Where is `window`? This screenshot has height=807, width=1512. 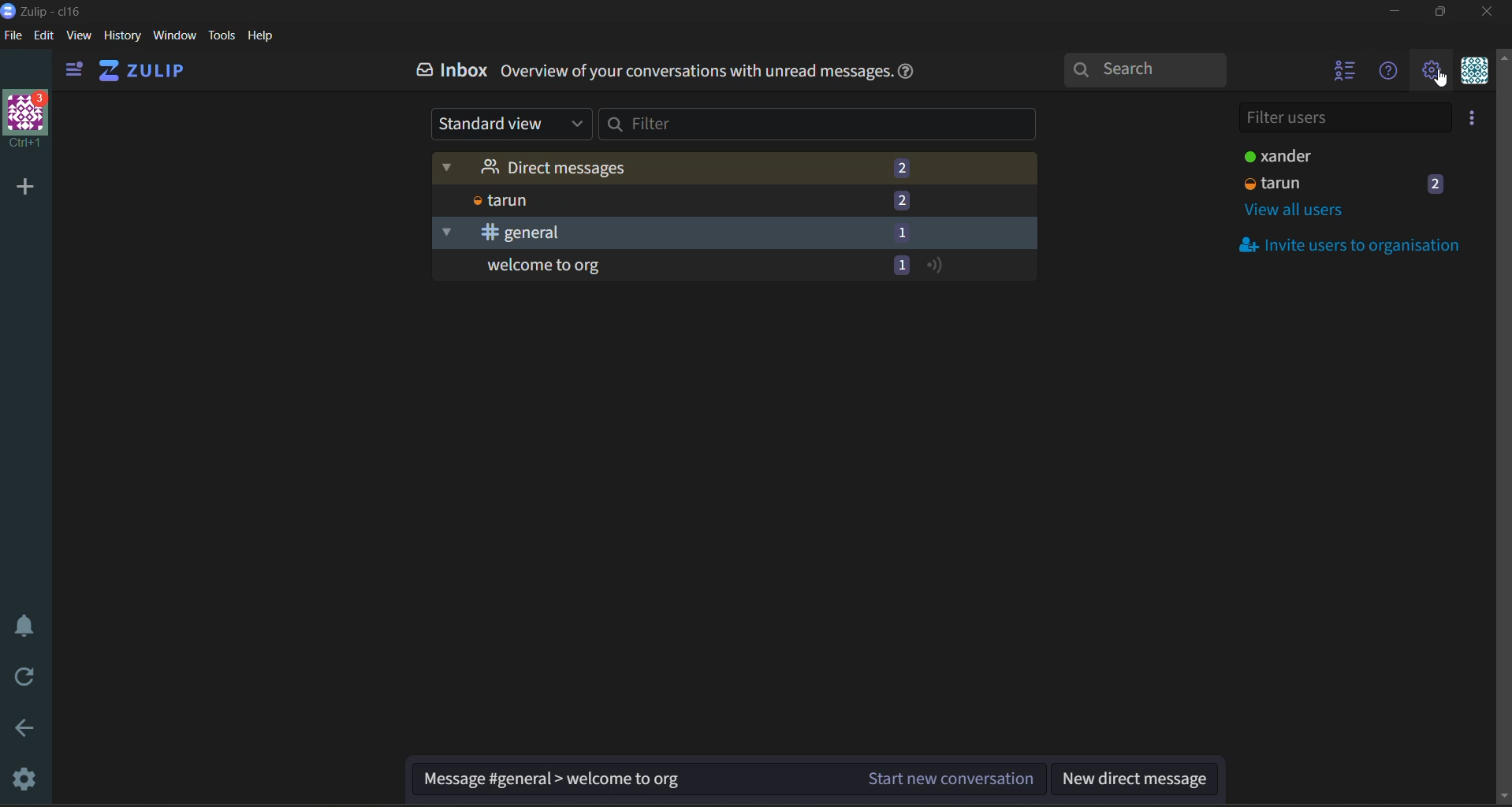
window is located at coordinates (174, 35).